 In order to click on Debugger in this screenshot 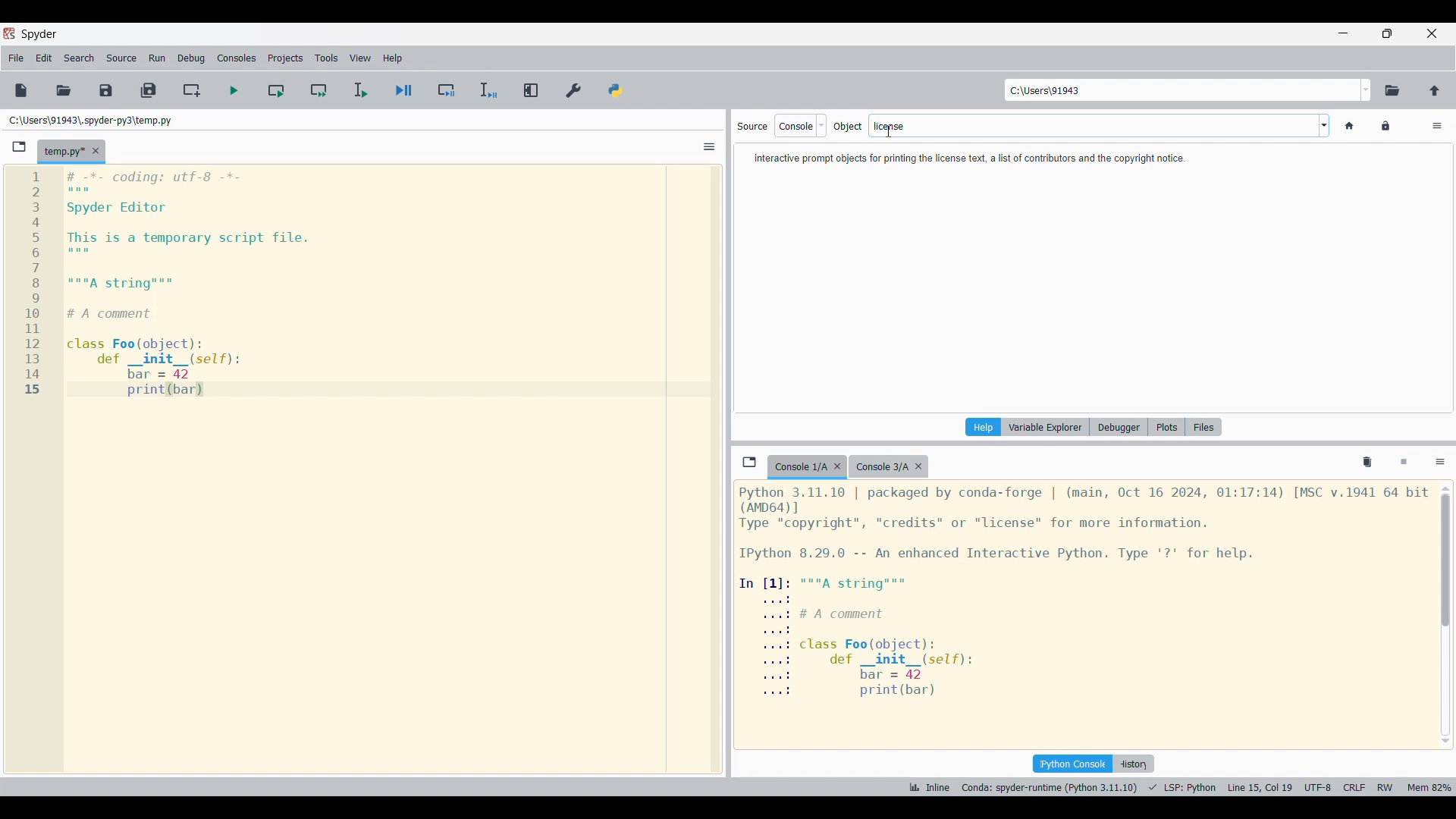, I will do `click(1118, 427)`.